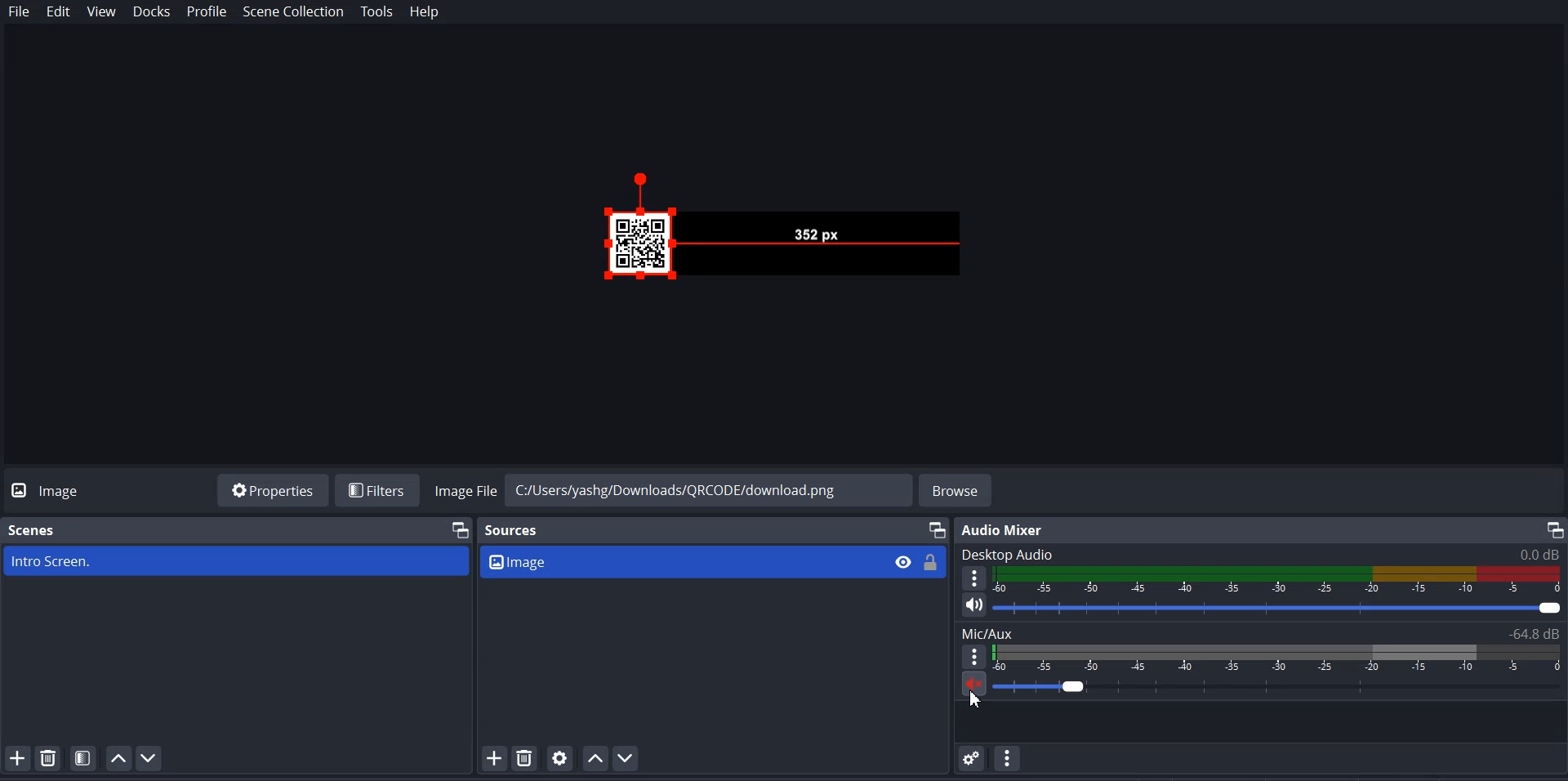  What do you see at coordinates (1278, 685) in the screenshot?
I see `Volume Adjuster` at bounding box center [1278, 685].